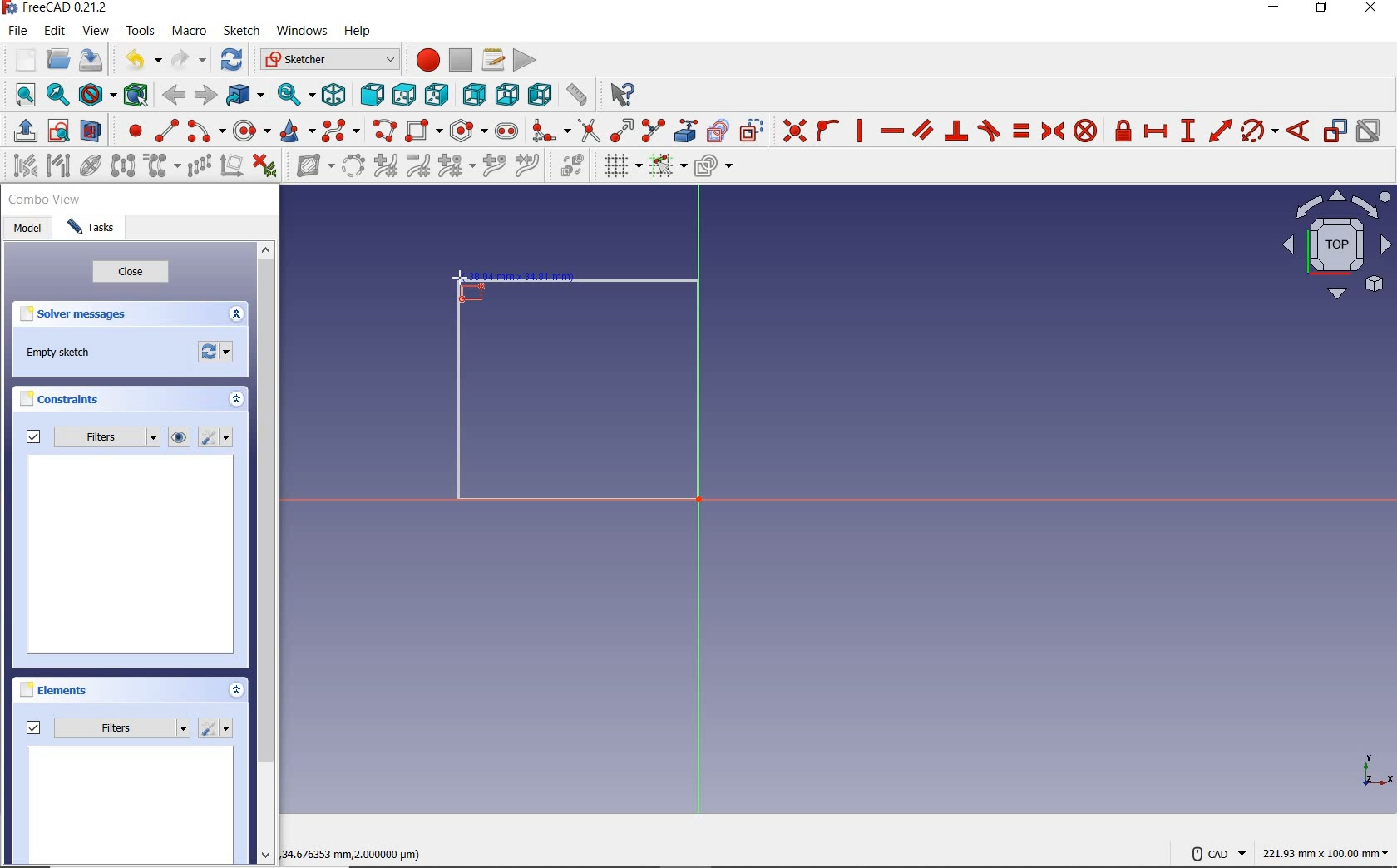 The height and width of the screenshot is (868, 1397). What do you see at coordinates (546, 131) in the screenshot?
I see `create fillet` at bounding box center [546, 131].